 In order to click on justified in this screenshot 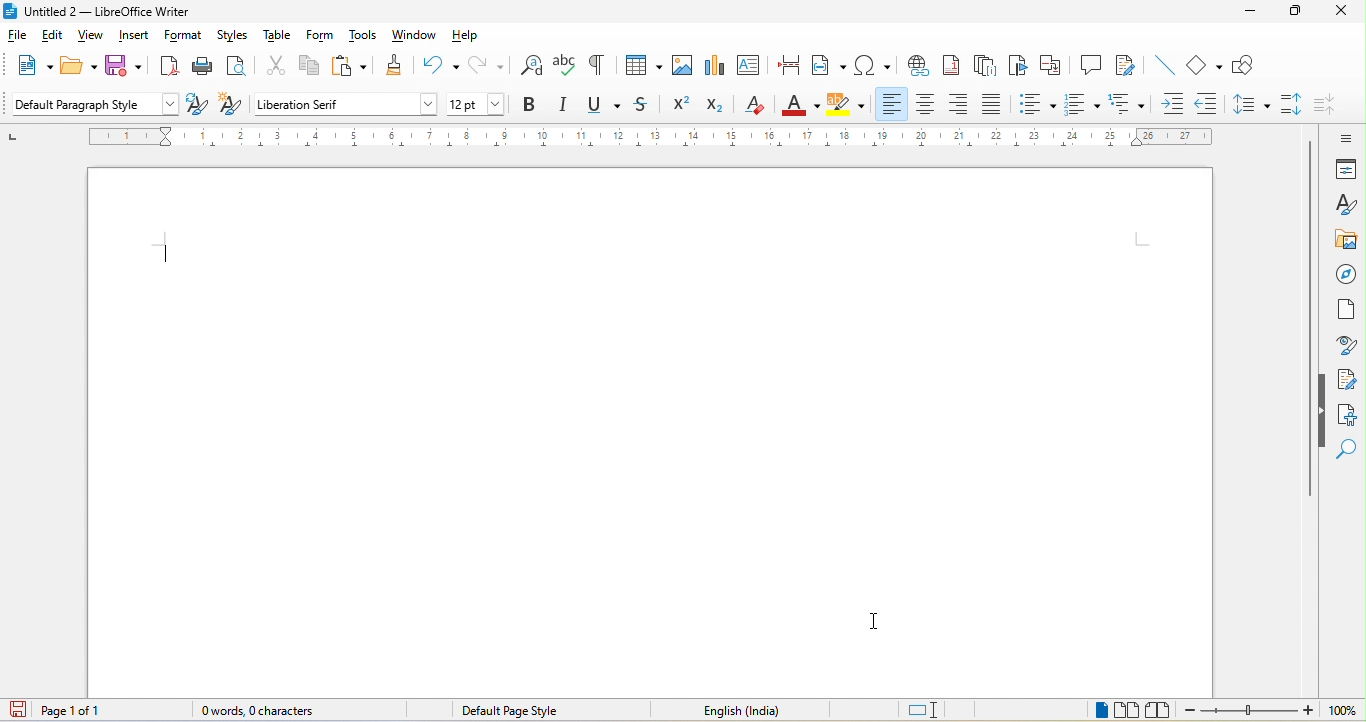, I will do `click(994, 103)`.